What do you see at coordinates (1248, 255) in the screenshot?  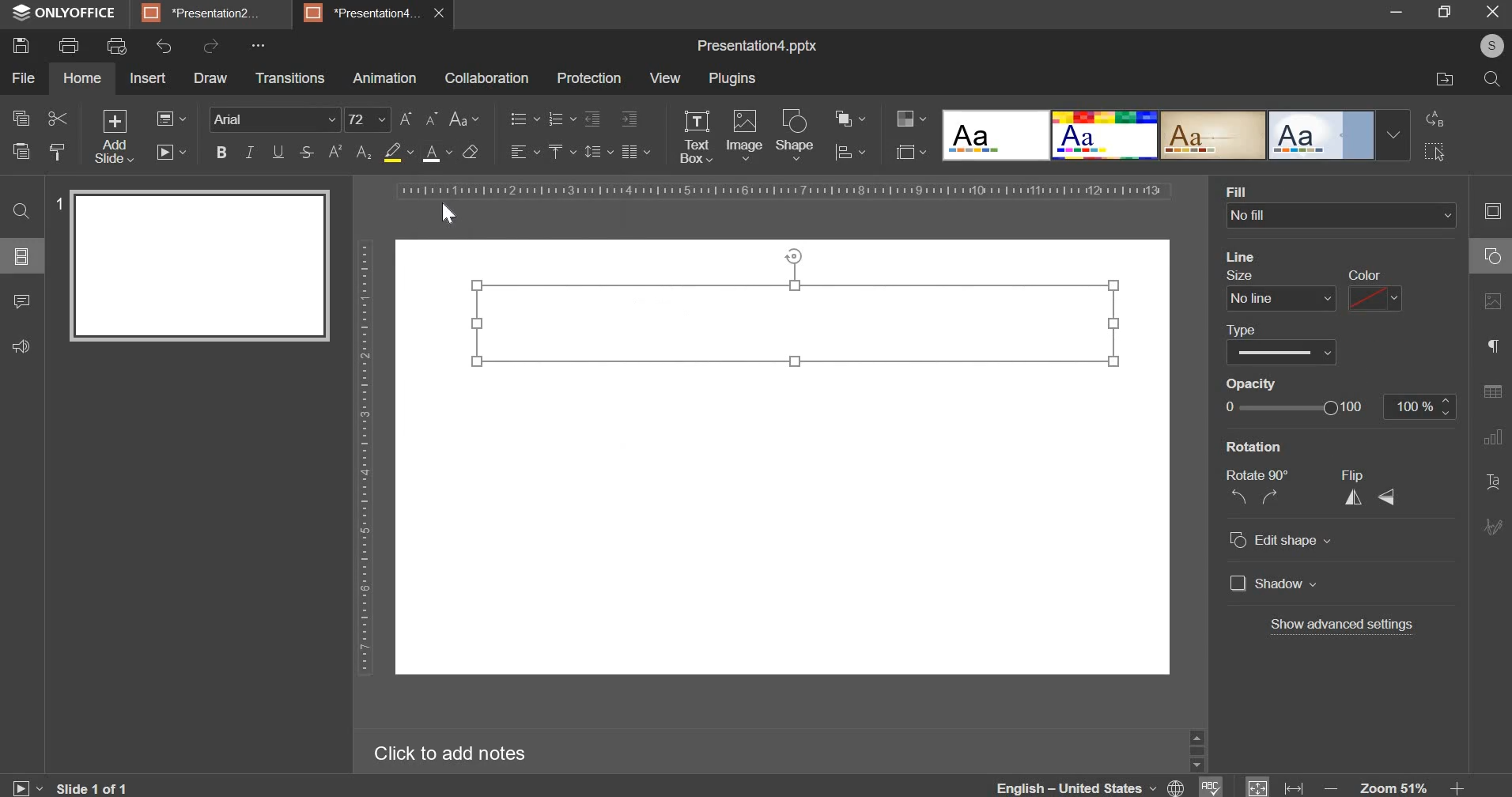 I see `line` at bounding box center [1248, 255].